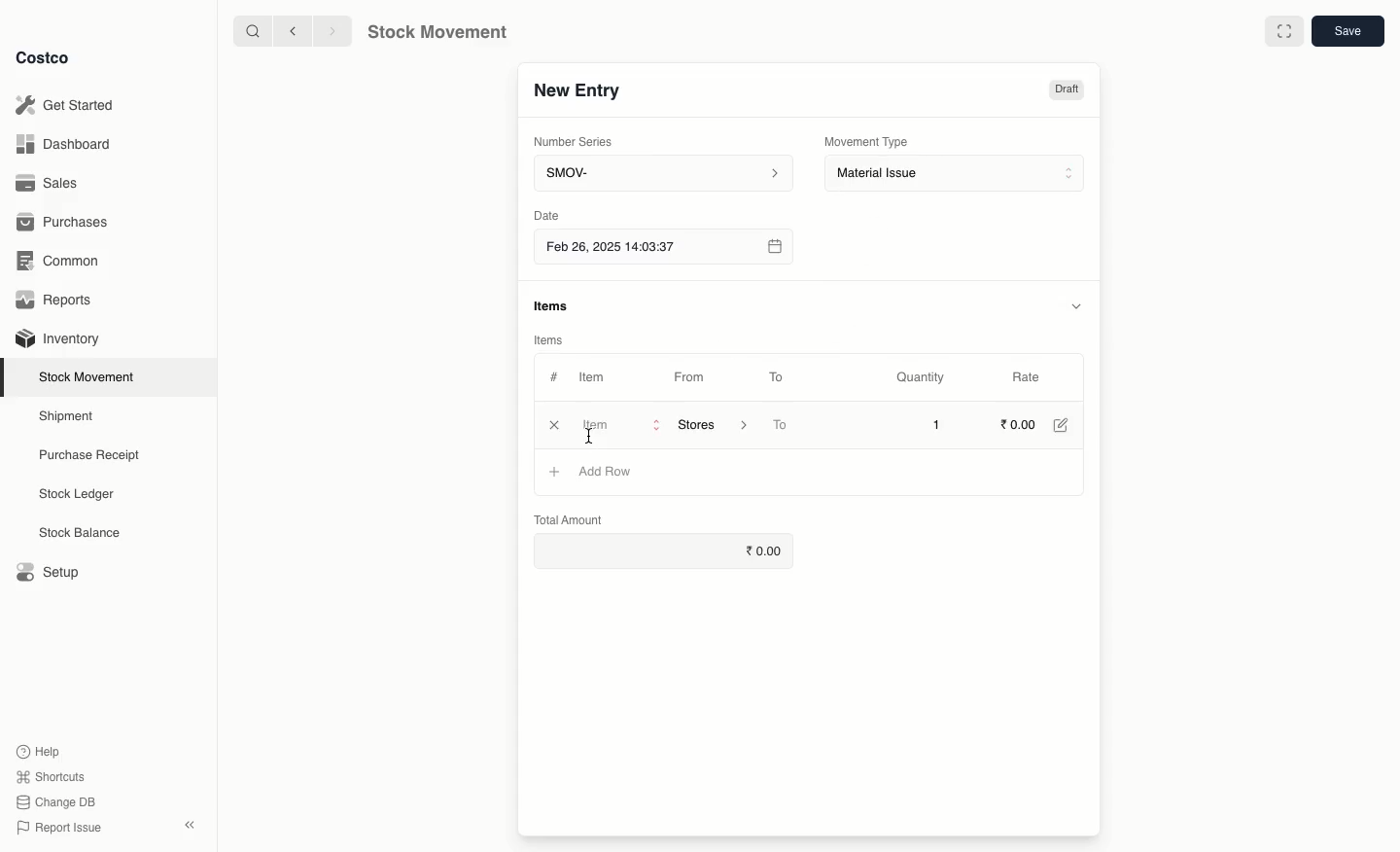  I want to click on 0.00, so click(1019, 424).